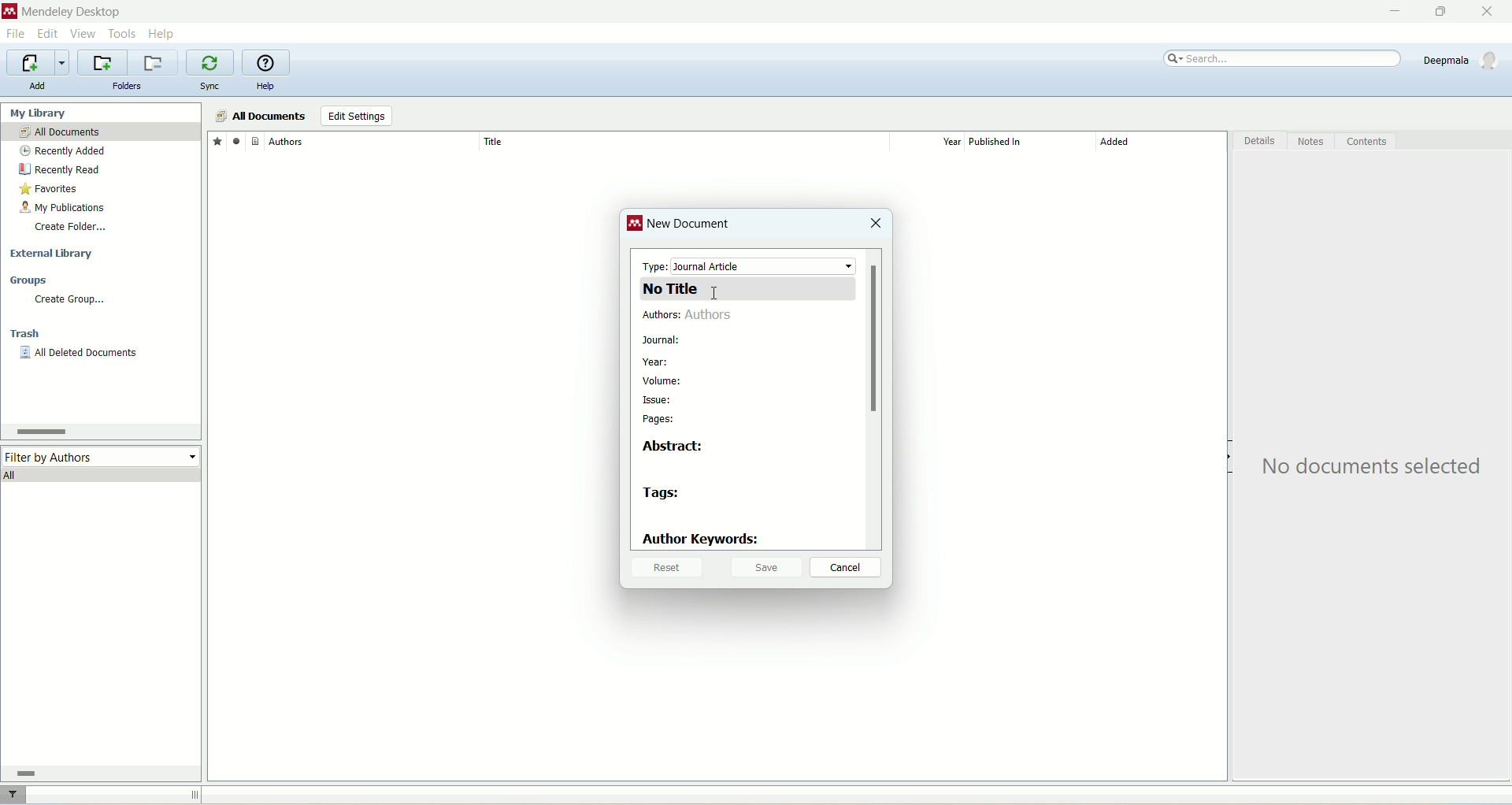  What do you see at coordinates (667, 380) in the screenshot?
I see `volume` at bounding box center [667, 380].